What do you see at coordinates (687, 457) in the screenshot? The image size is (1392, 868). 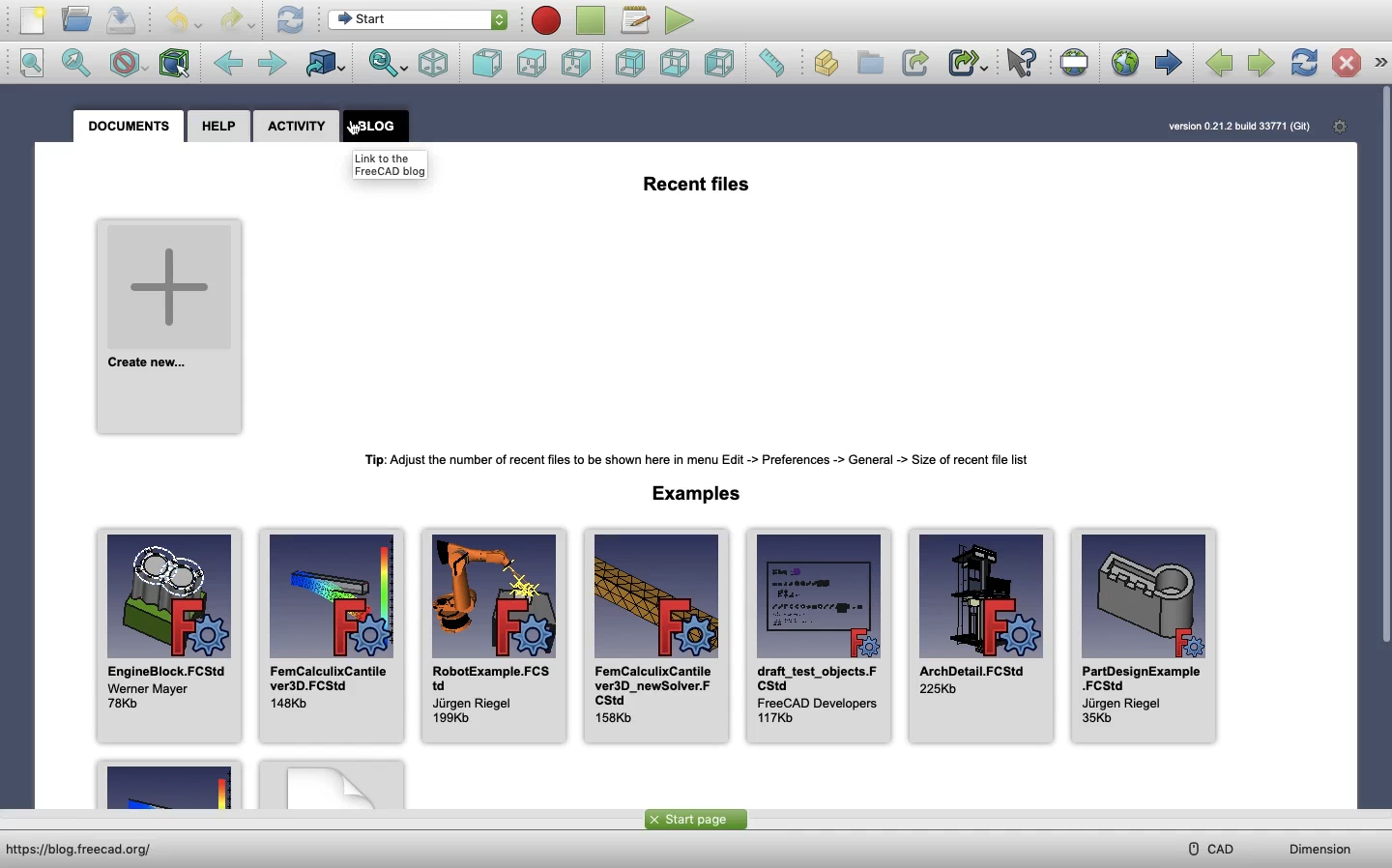 I see `Tip: Adjust the number of recent files to be shown here in menu Edit -> Preferences -> General -> Size of recent file list` at bounding box center [687, 457].